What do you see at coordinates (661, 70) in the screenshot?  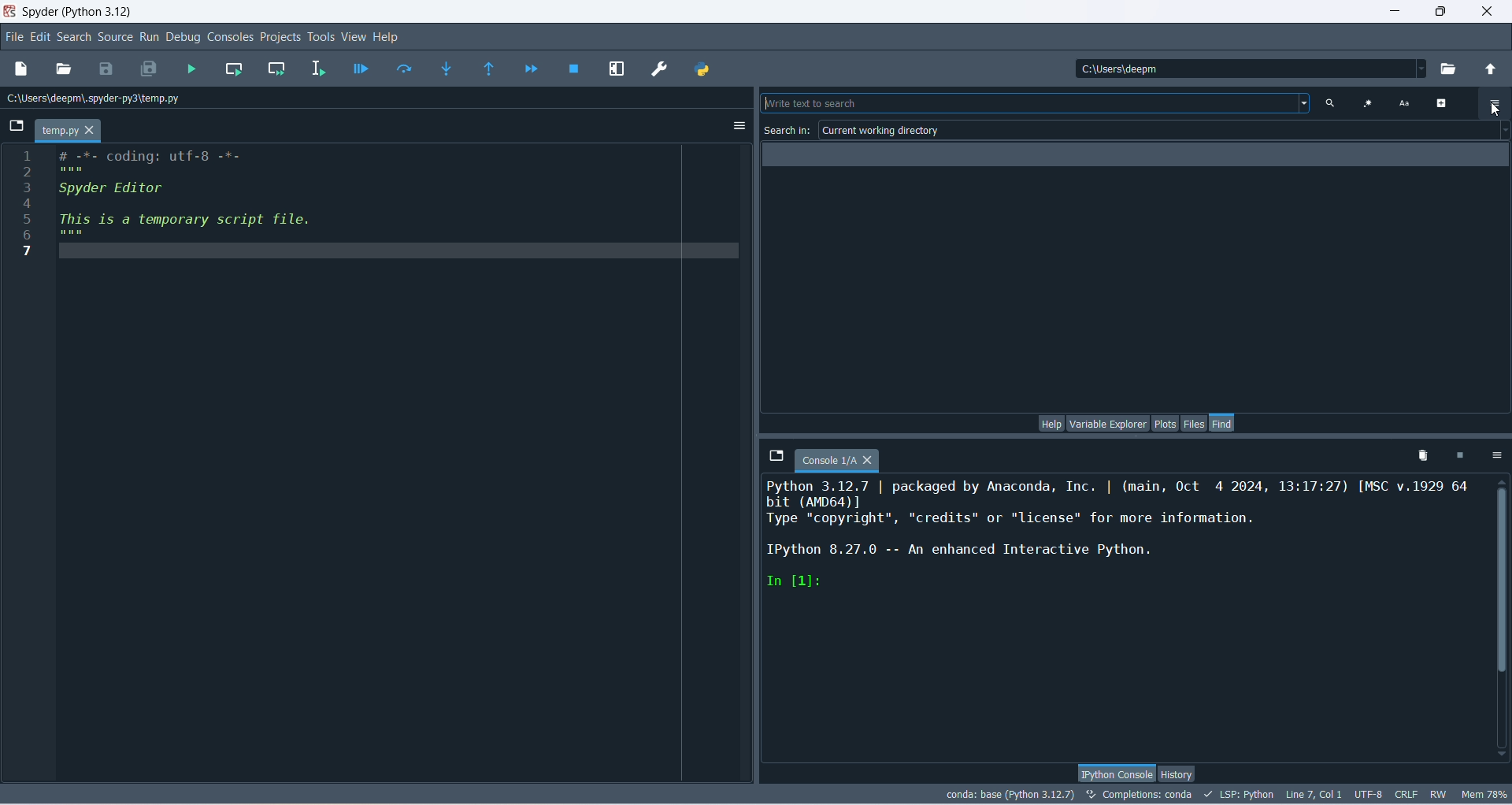 I see `preferences` at bounding box center [661, 70].